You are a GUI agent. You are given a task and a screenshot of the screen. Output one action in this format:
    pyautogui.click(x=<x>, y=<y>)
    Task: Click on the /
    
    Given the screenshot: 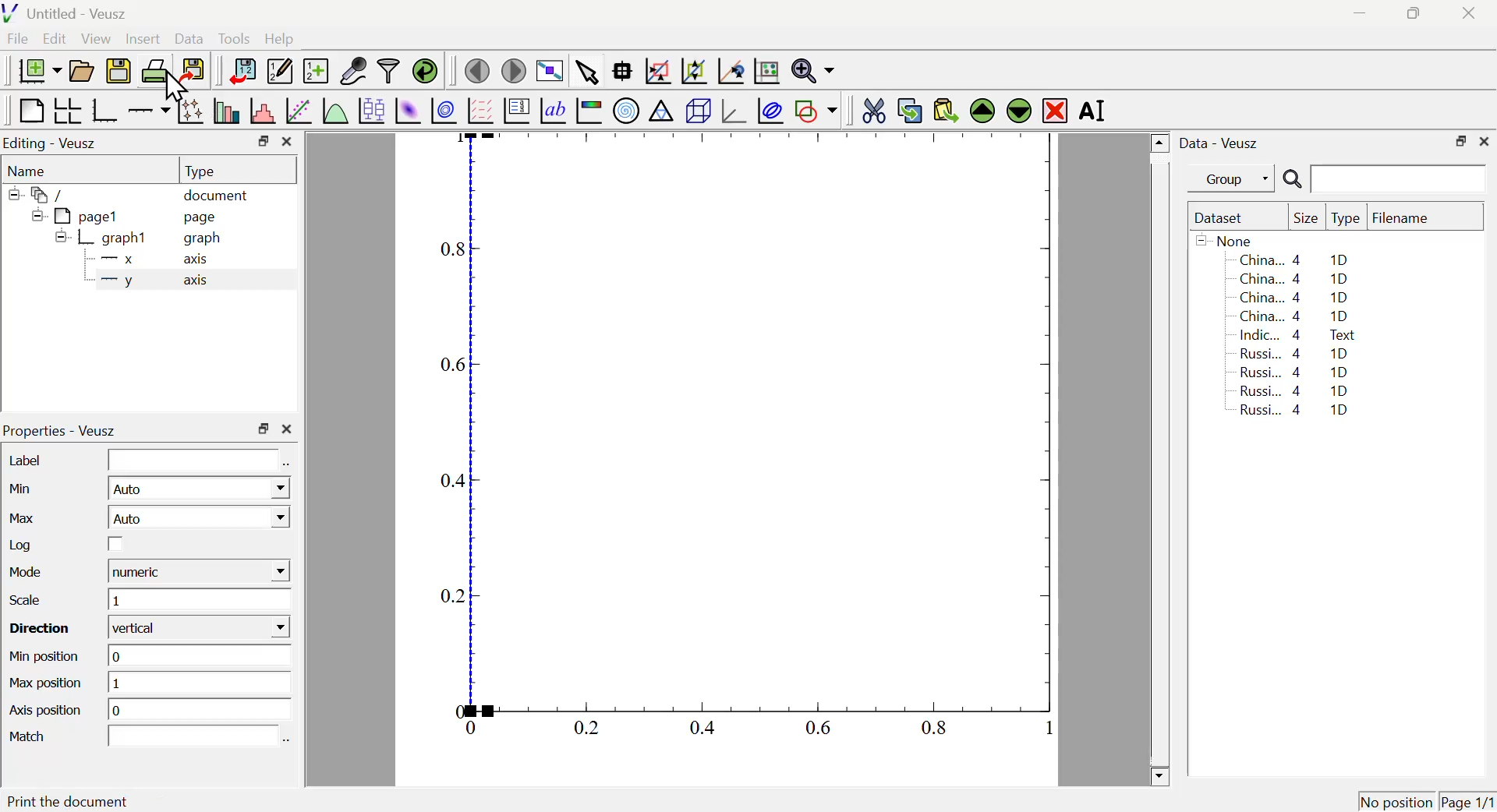 What is the action you would take?
    pyautogui.click(x=39, y=195)
    